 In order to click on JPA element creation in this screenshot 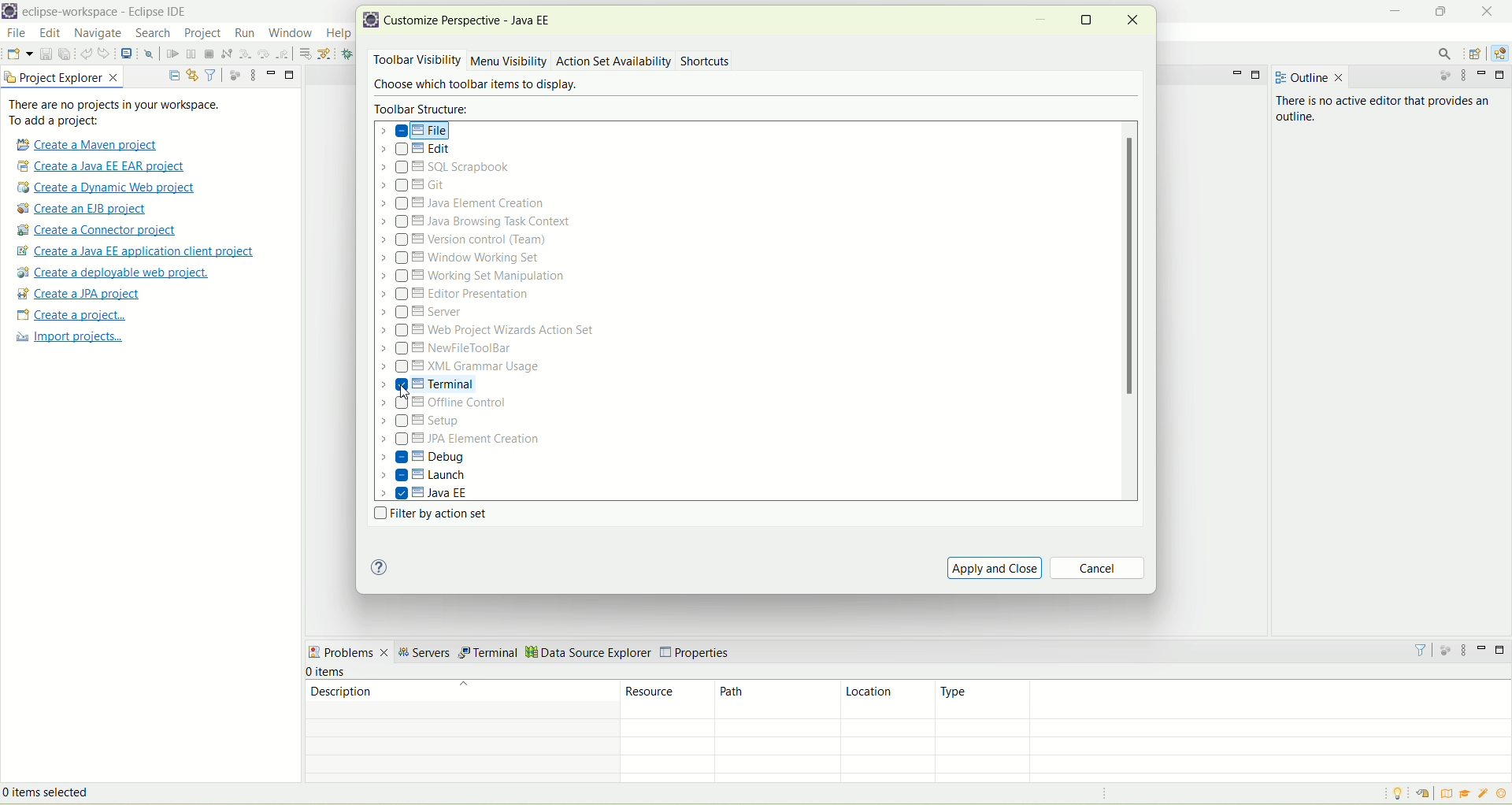, I will do `click(460, 440)`.